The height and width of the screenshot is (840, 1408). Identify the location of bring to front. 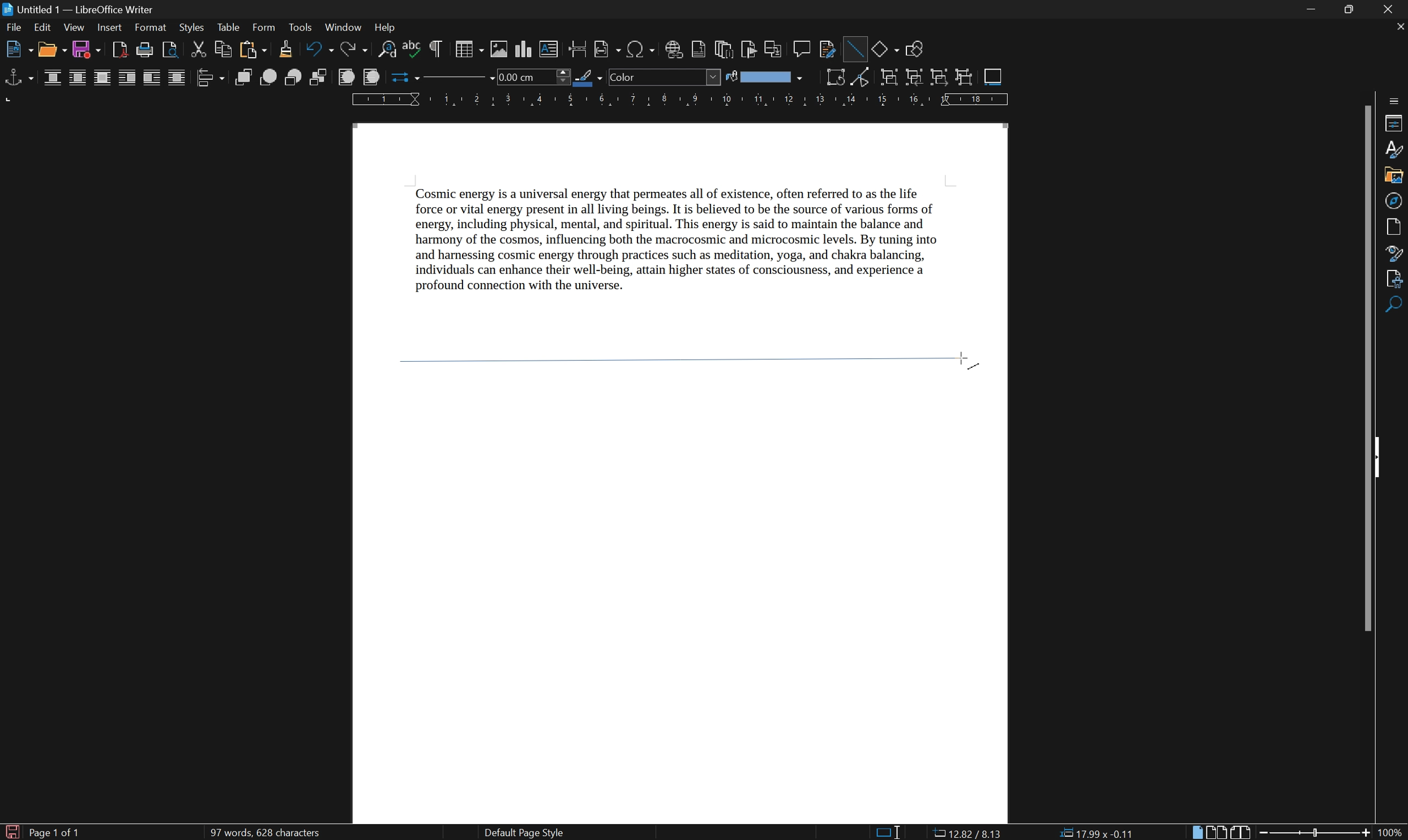
(245, 78).